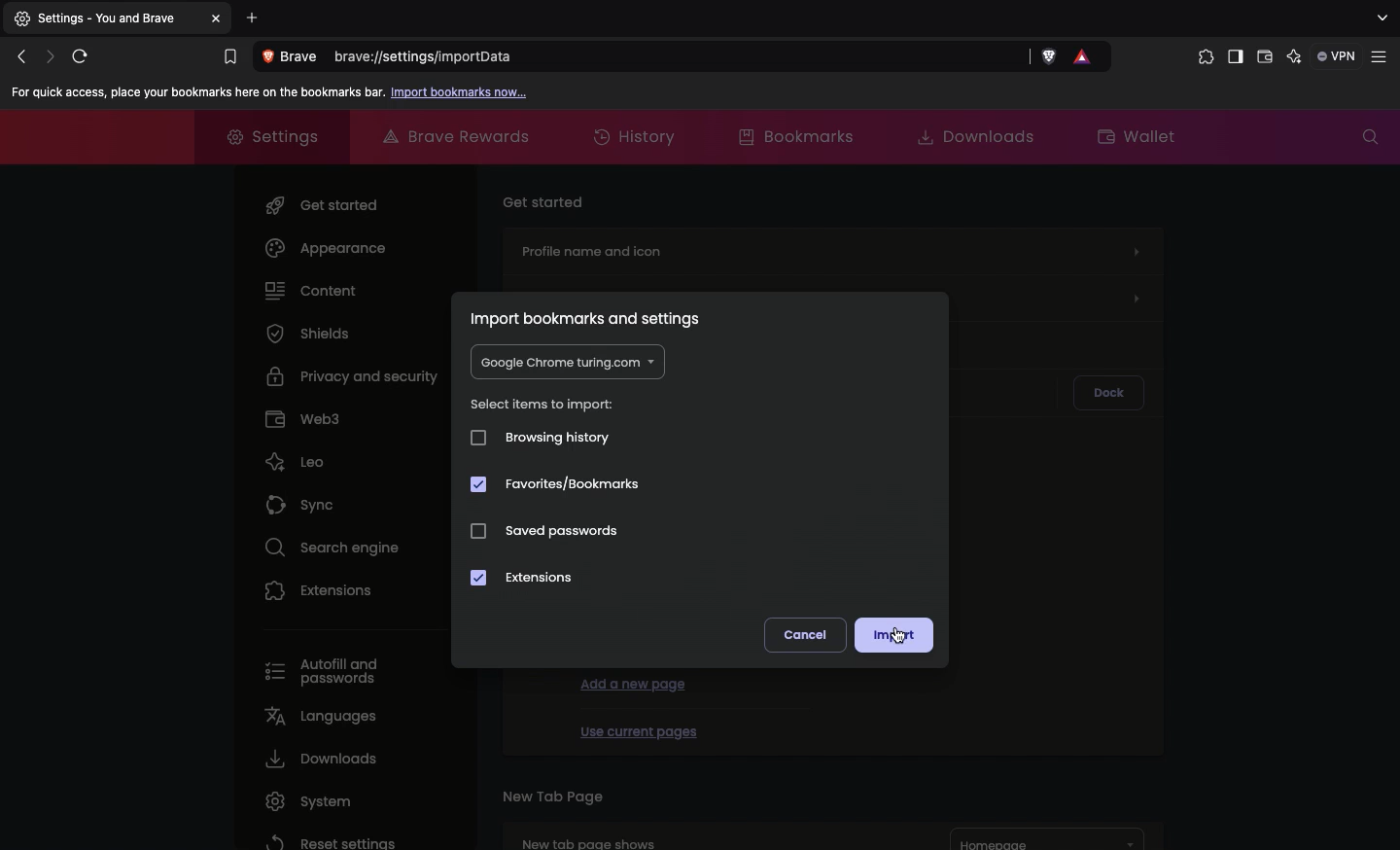  I want to click on Dock, so click(1108, 393).